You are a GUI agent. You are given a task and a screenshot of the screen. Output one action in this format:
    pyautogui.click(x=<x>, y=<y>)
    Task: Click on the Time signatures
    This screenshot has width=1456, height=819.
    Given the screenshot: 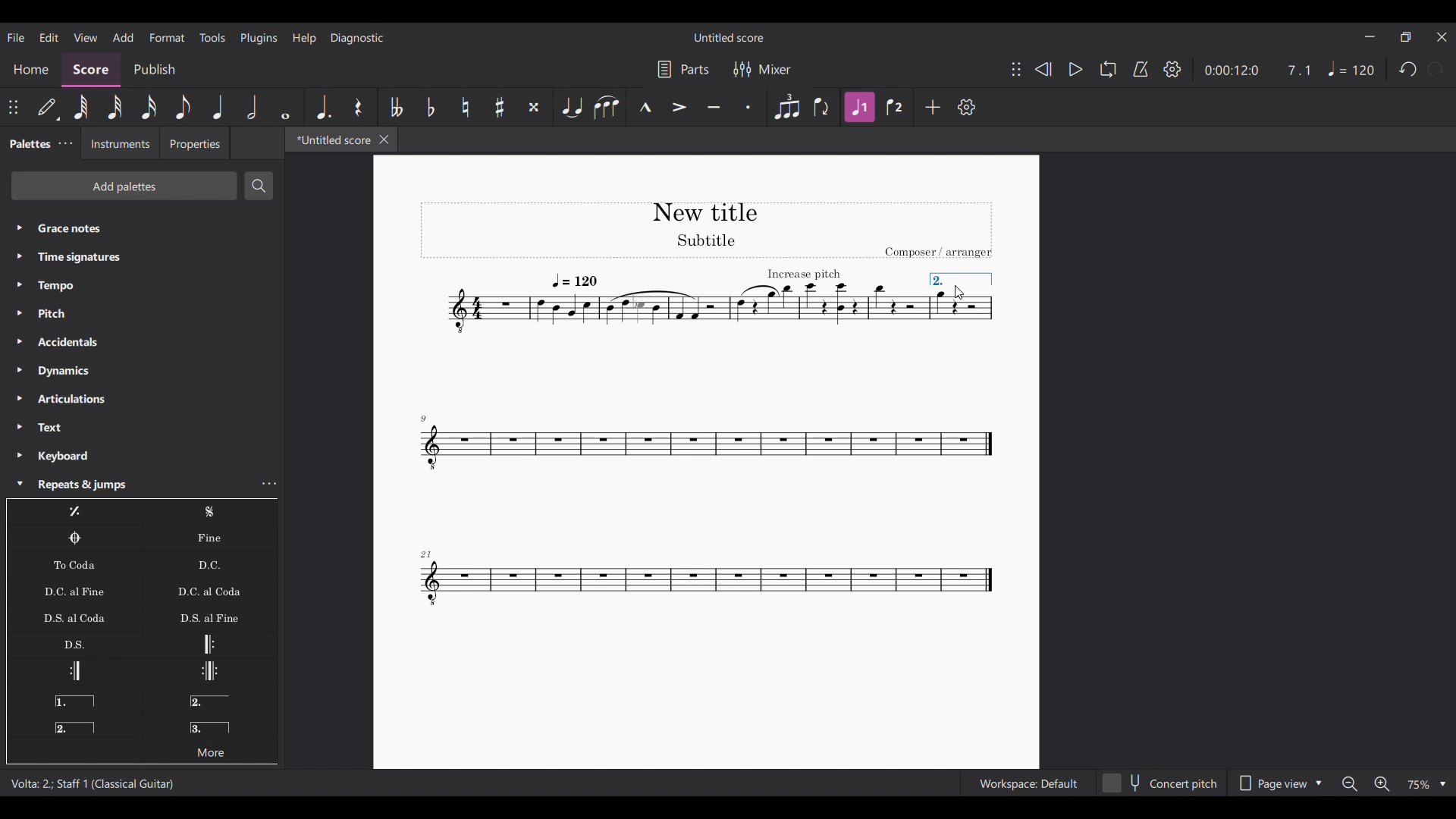 What is the action you would take?
    pyautogui.click(x=142, y=258)
    